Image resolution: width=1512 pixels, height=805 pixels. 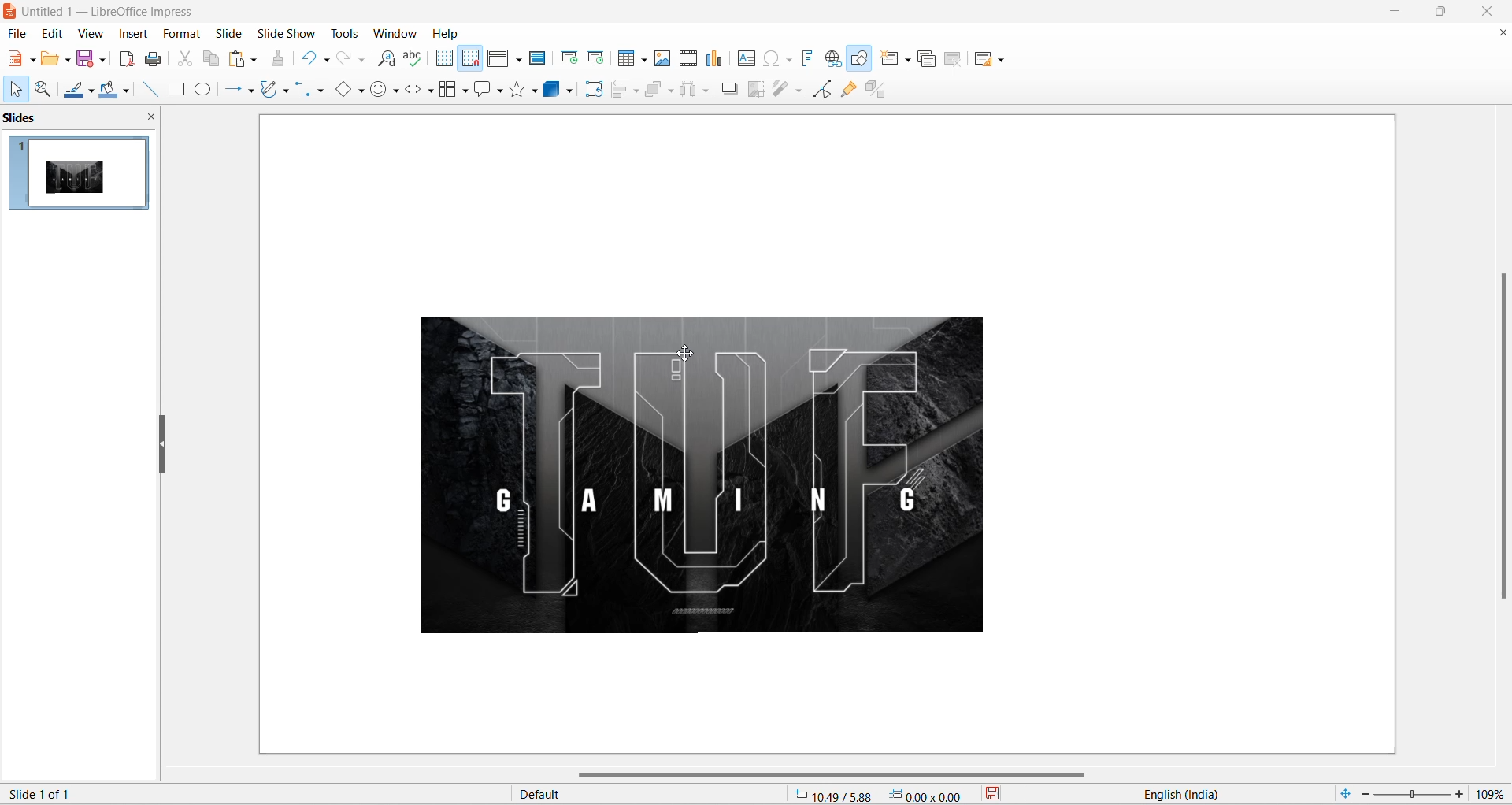 What do you see at coordinates (986, 61) in the screenshot?
I see `slide layout icon` at bounding box center [986, 61].